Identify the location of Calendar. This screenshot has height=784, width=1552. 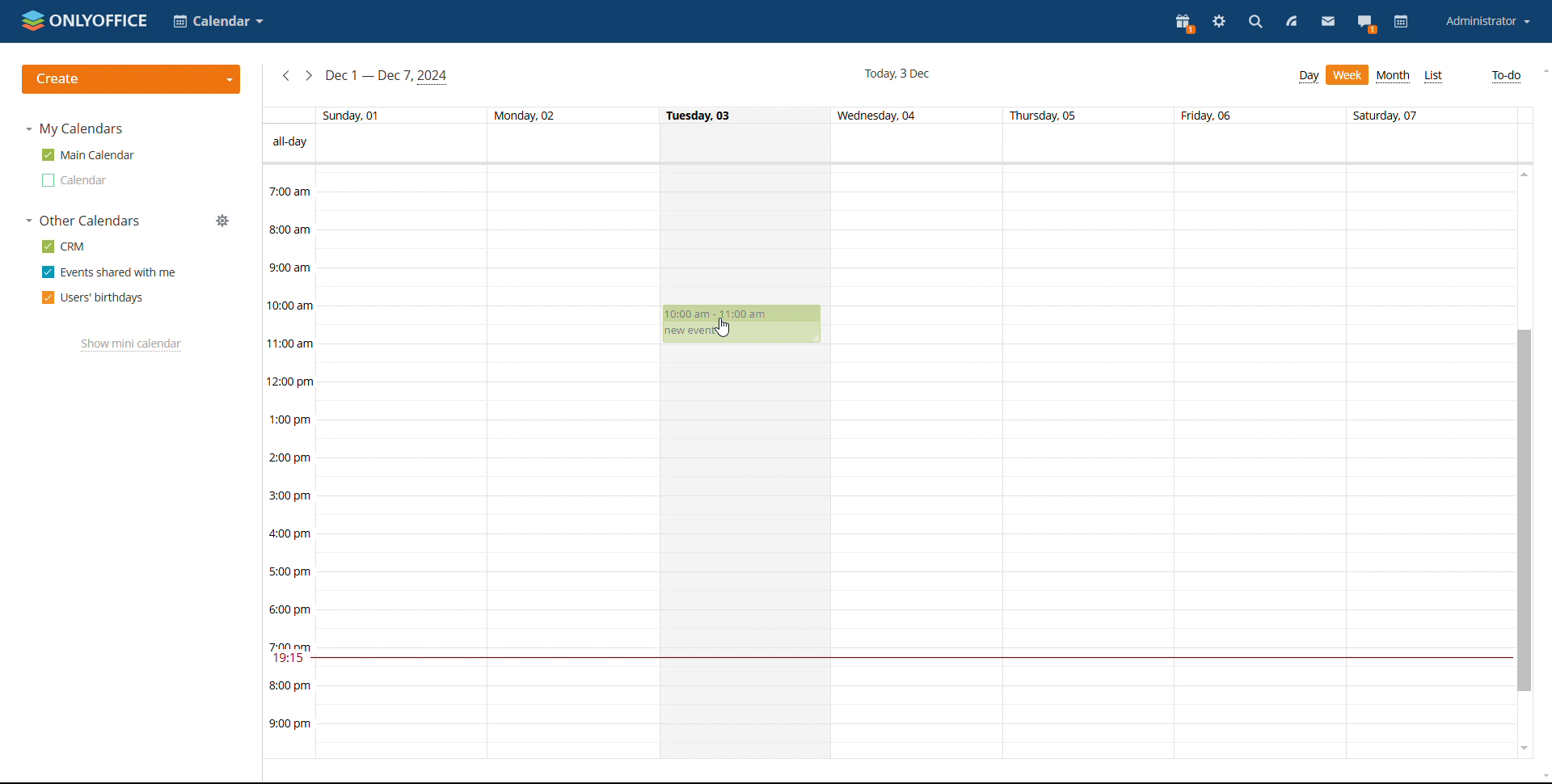
(72, 181).